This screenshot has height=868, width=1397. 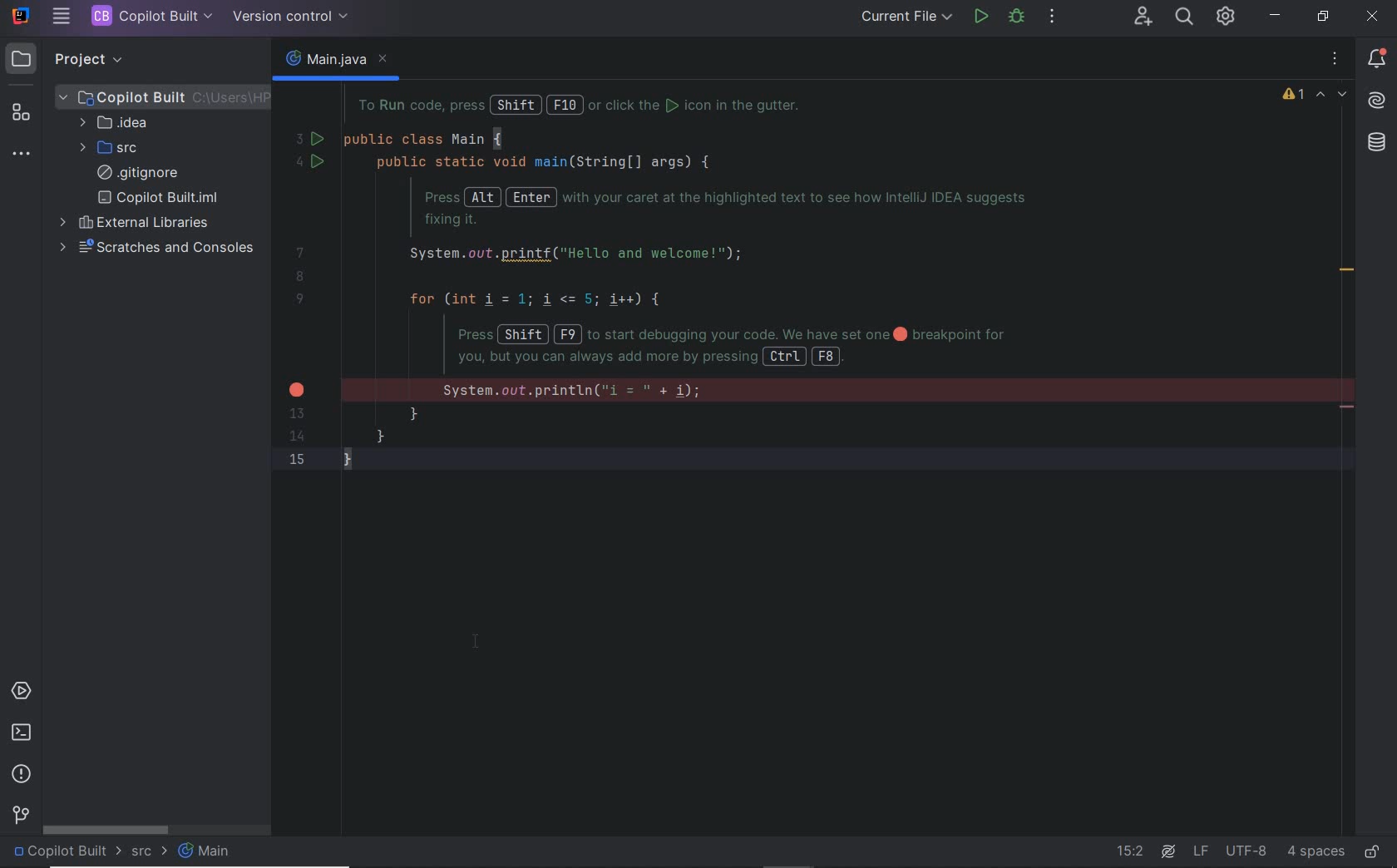 What do you see at coordinates (23, 693) in the screenshot?
I see `services` at bounding box center [23, 693].